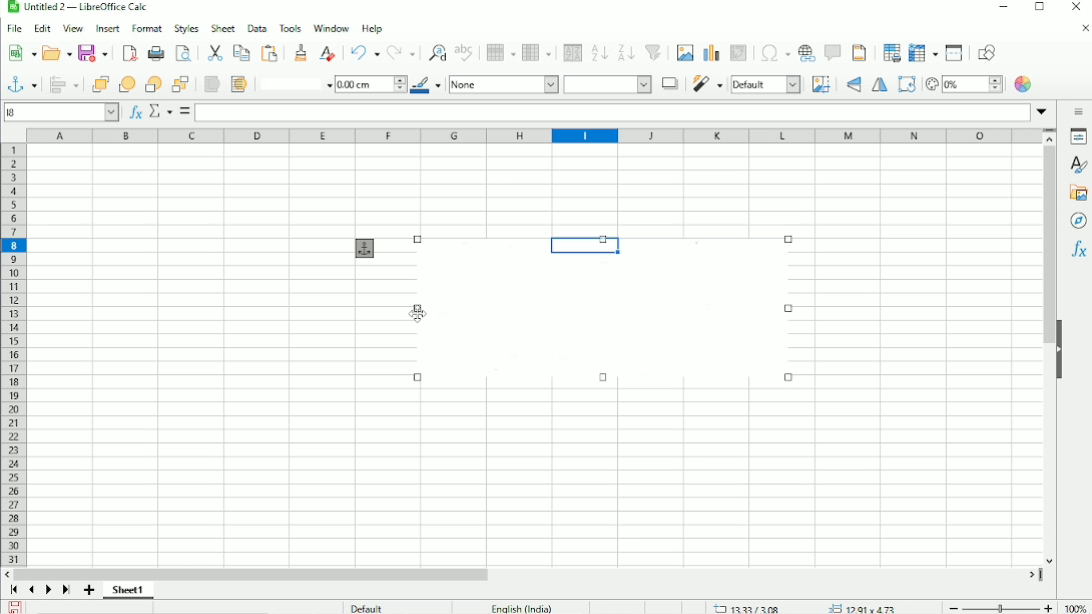  I want to click on Close document, so click(1080, 28).